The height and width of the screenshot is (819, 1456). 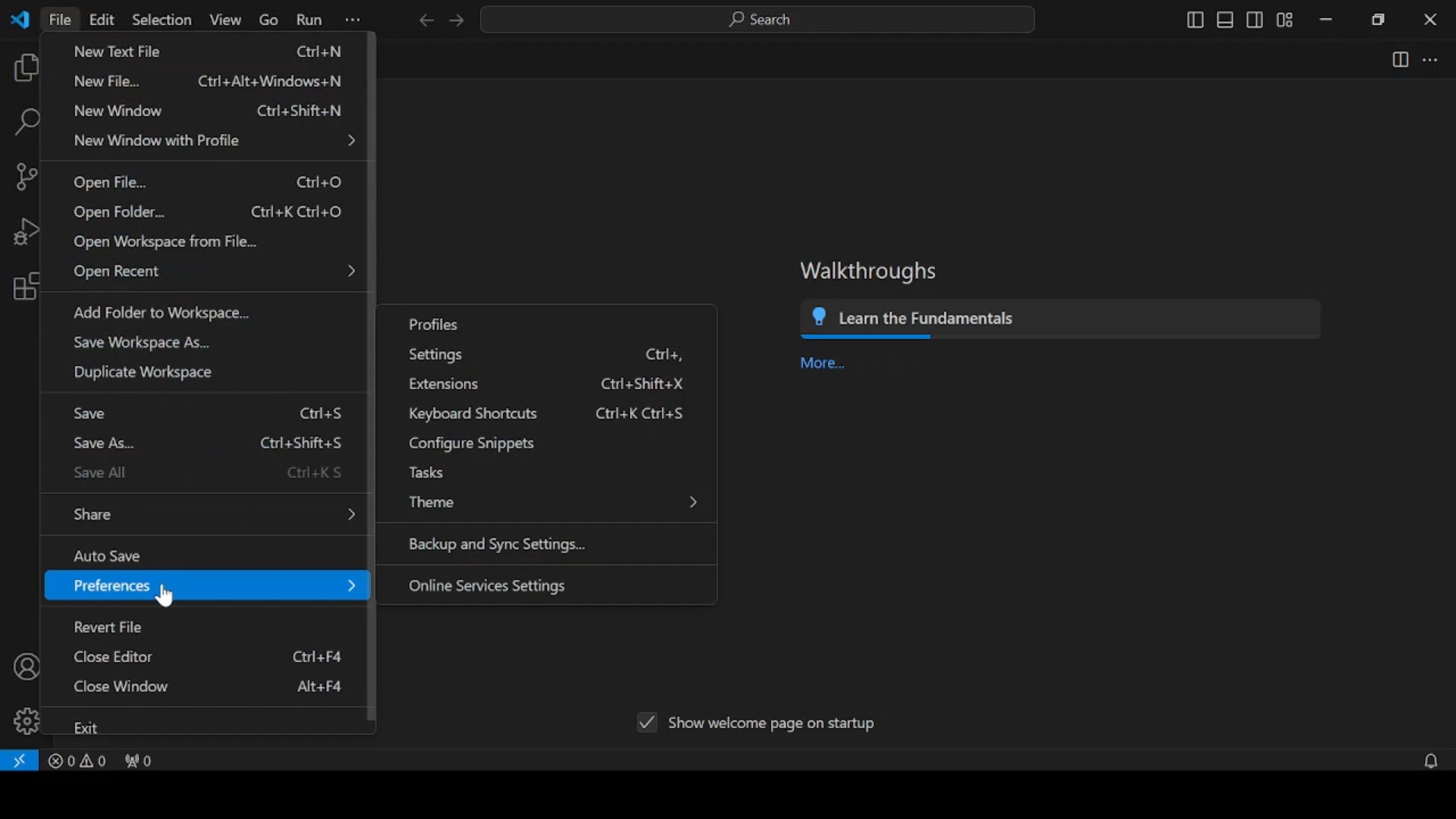 What do you see at coordinates (215, 141) in the screenshot?
I see `new window with profile menu` at bounding box center [215, 141].